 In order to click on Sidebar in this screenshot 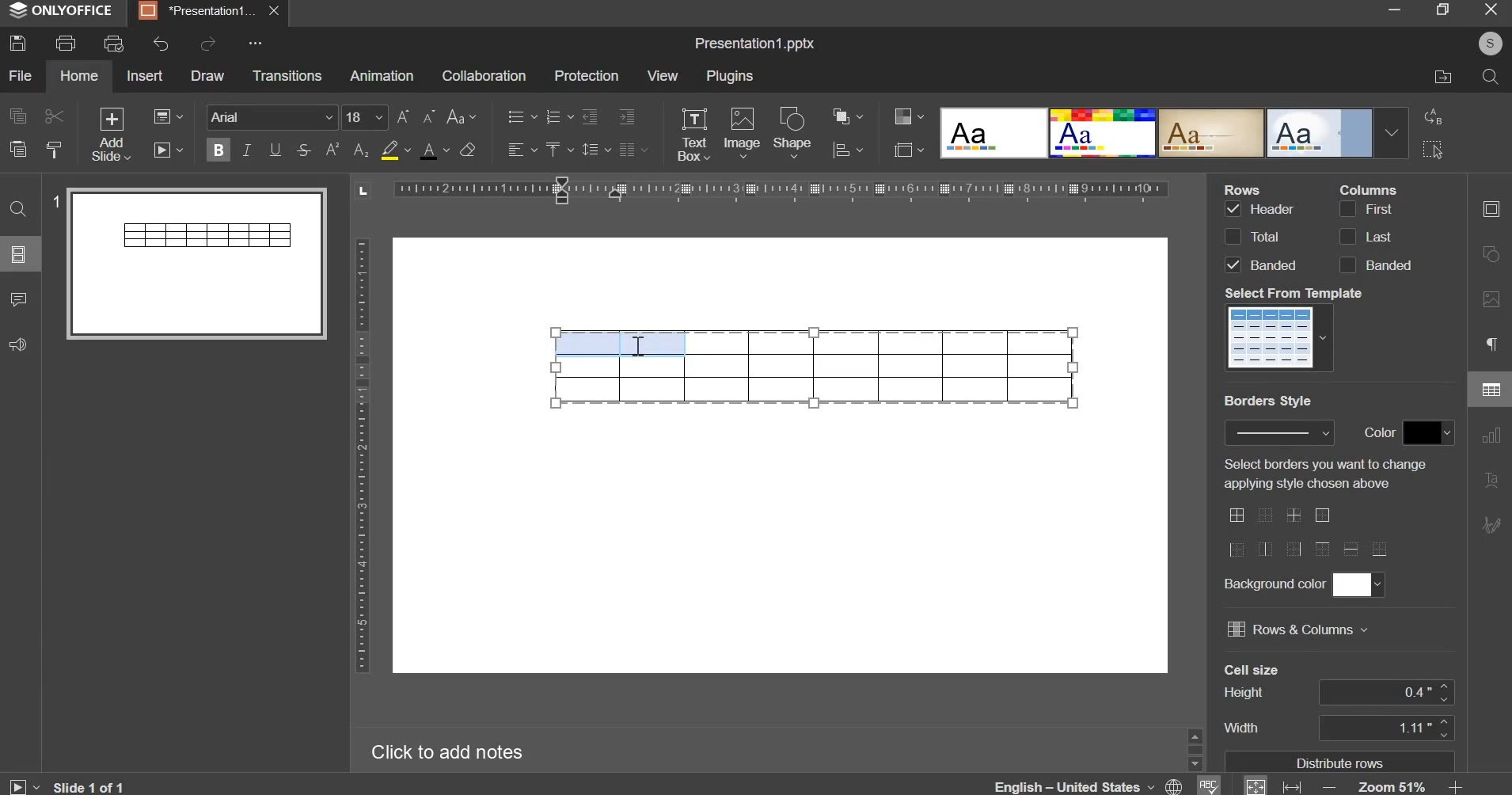, I will do `click(1194, 747)`.